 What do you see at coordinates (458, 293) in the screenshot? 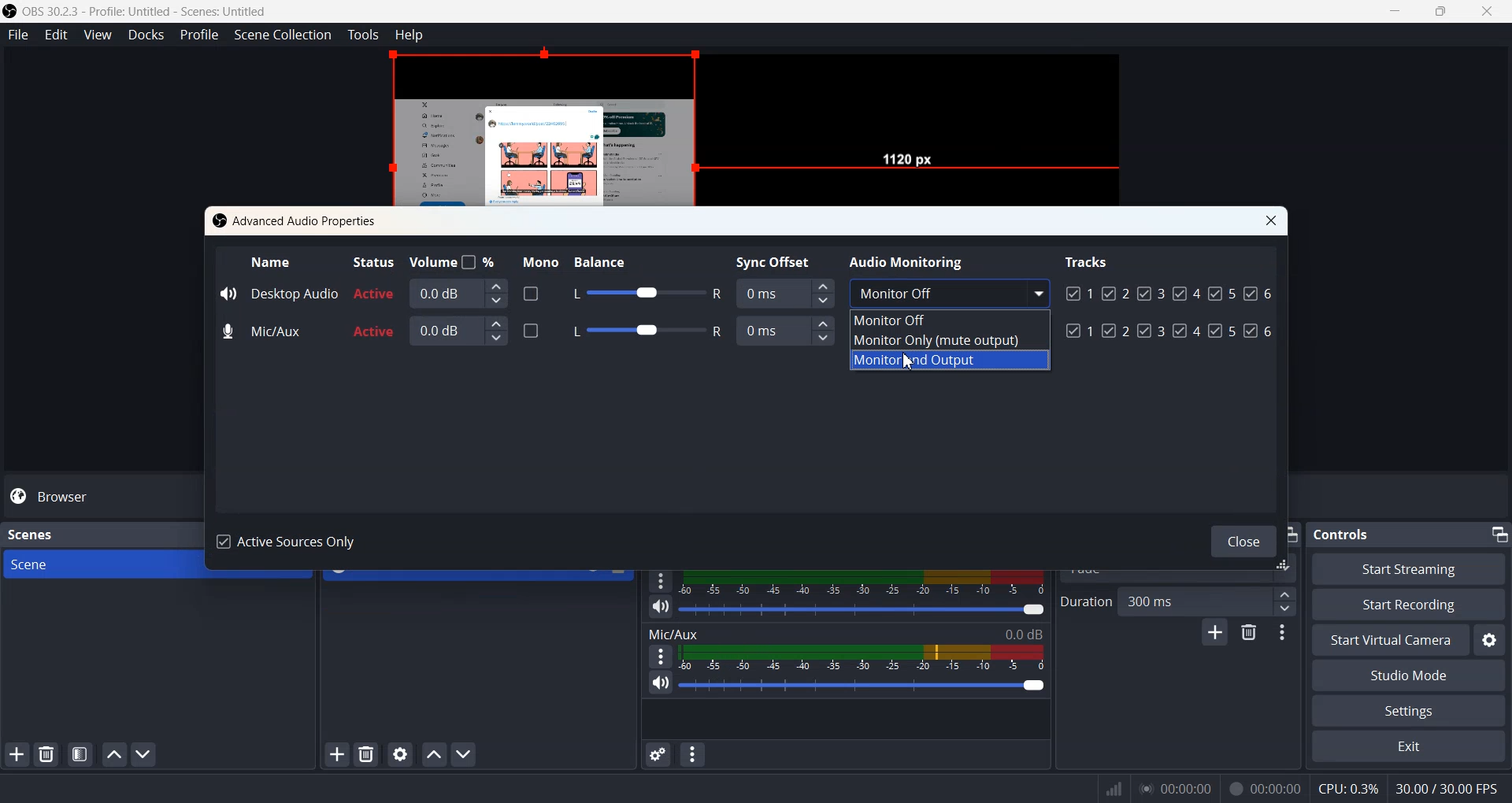
I see `0.0 dB` at bounding box center [458, 293].